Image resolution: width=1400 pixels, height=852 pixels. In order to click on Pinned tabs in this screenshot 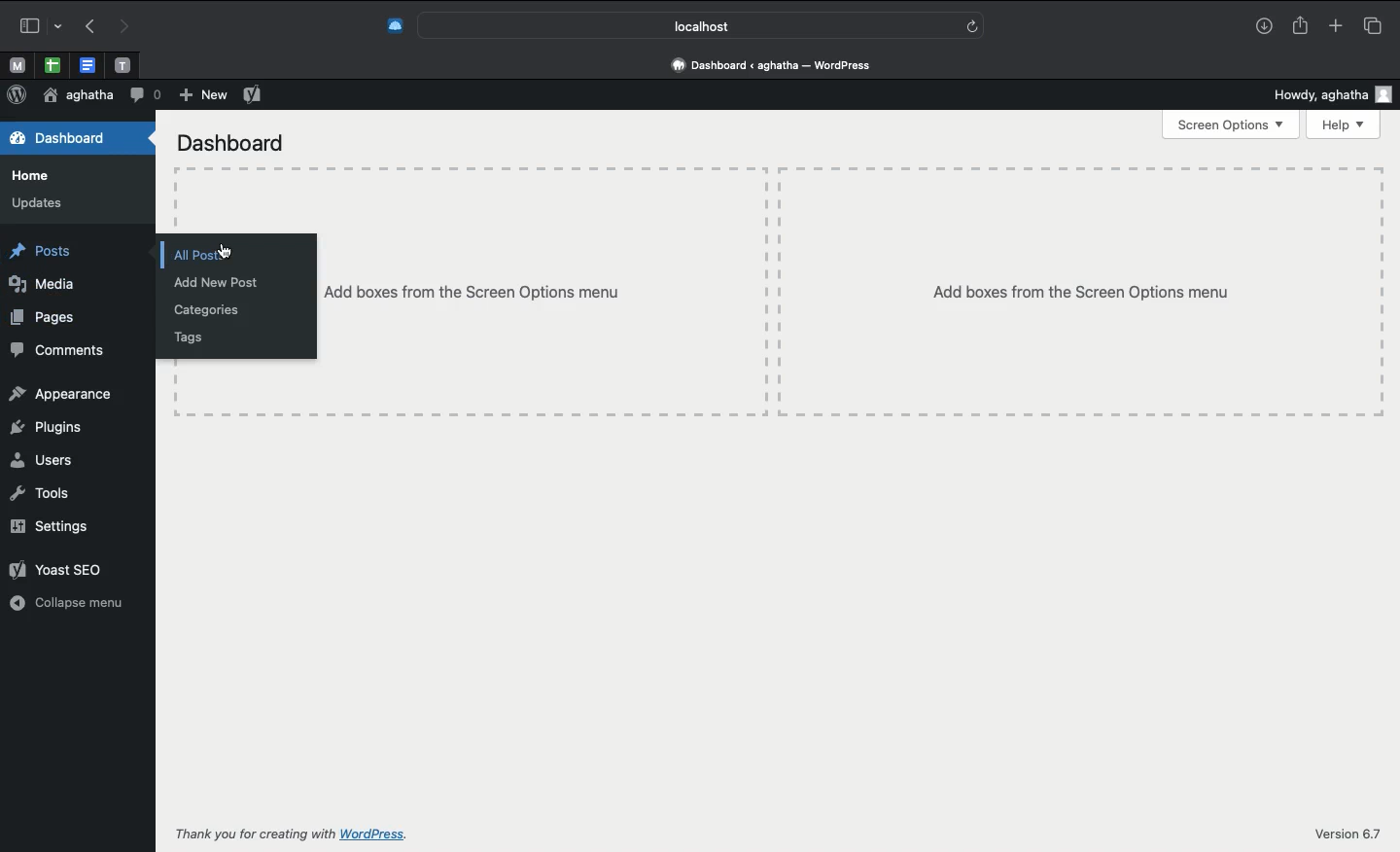, I will do `click(87, 64)`.